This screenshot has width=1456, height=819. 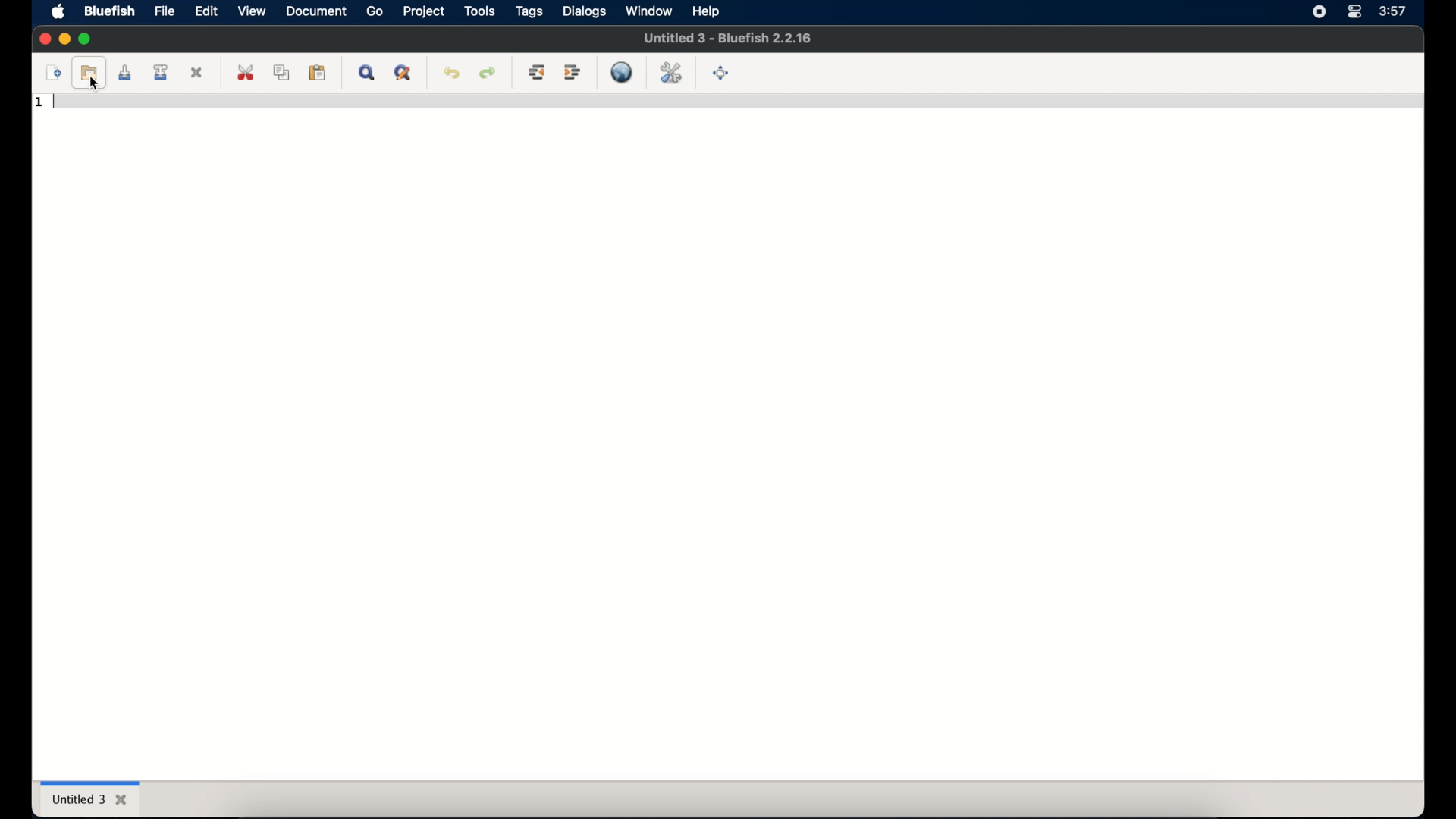 What do you see at coordinates (1395, 10) in the screenshot?
I see `3:57` at bounding box center [1395, 10].